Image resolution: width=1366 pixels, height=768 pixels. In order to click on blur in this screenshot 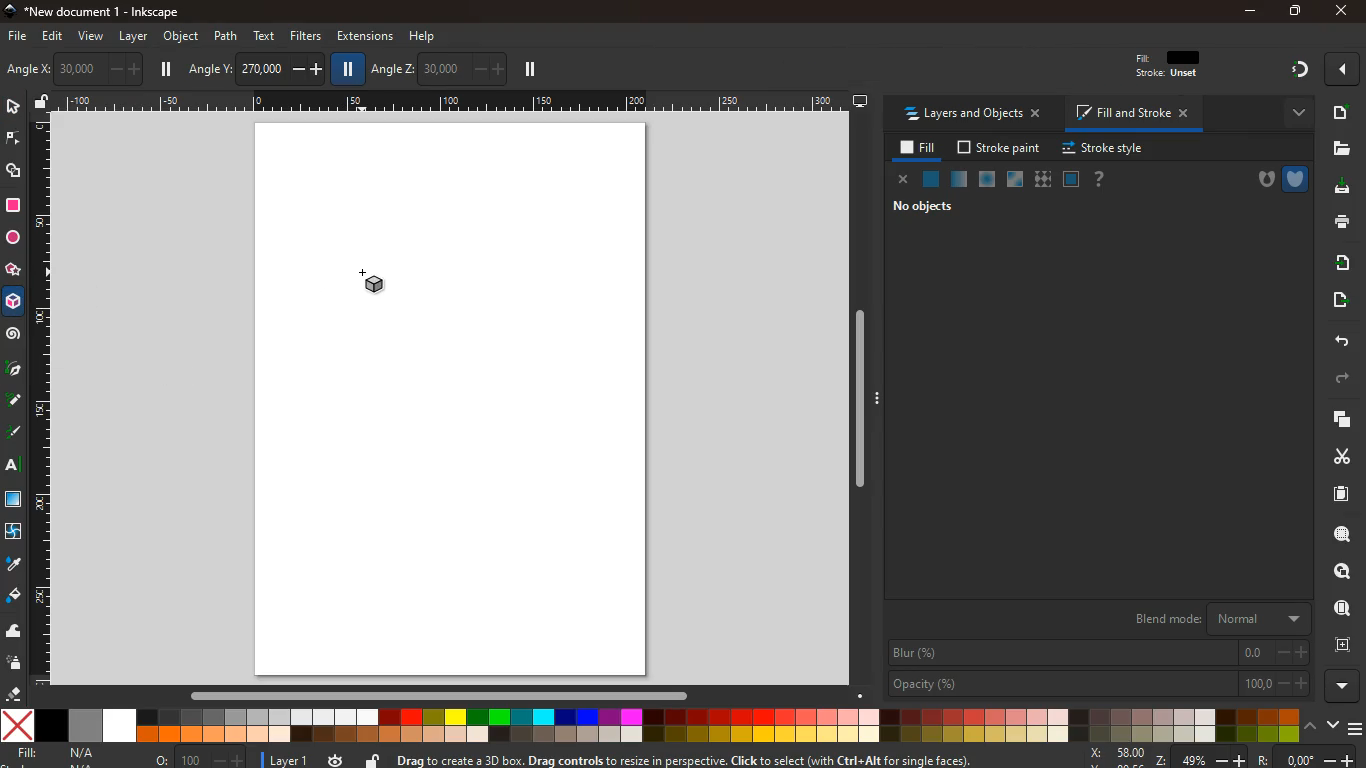, I will do `click(1098, 653)`.